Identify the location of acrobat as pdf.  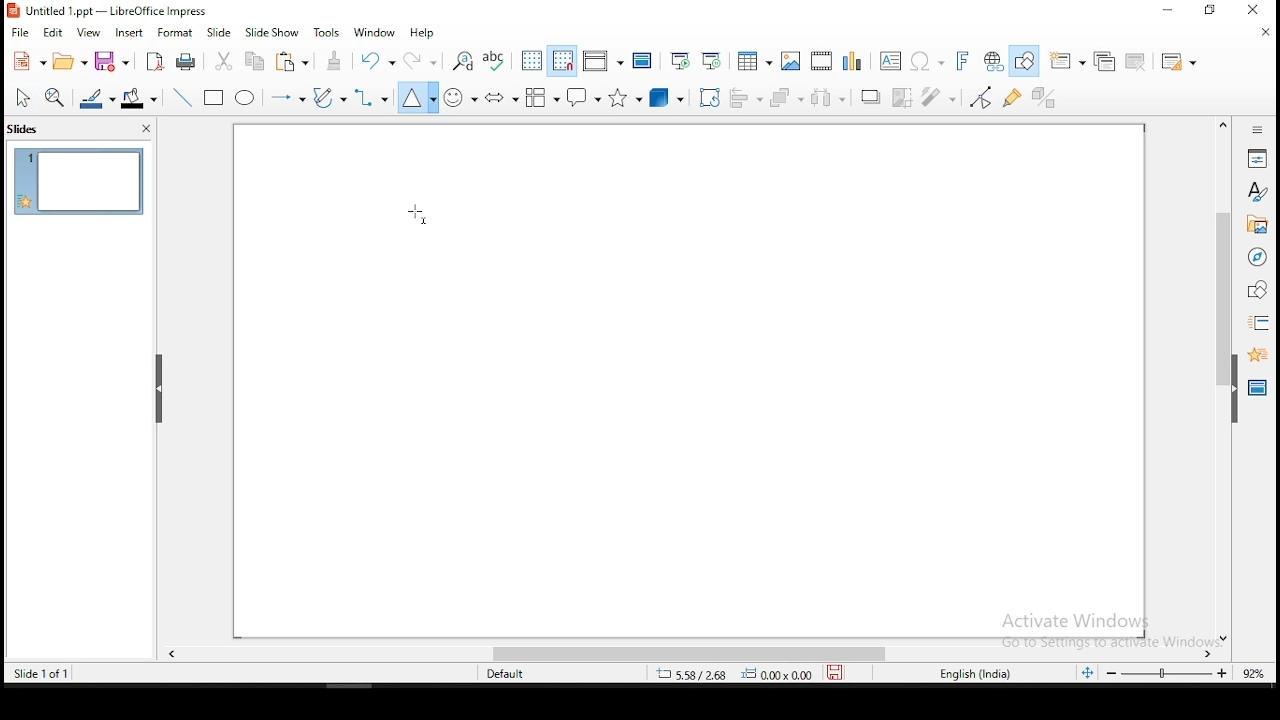
(156, 63).